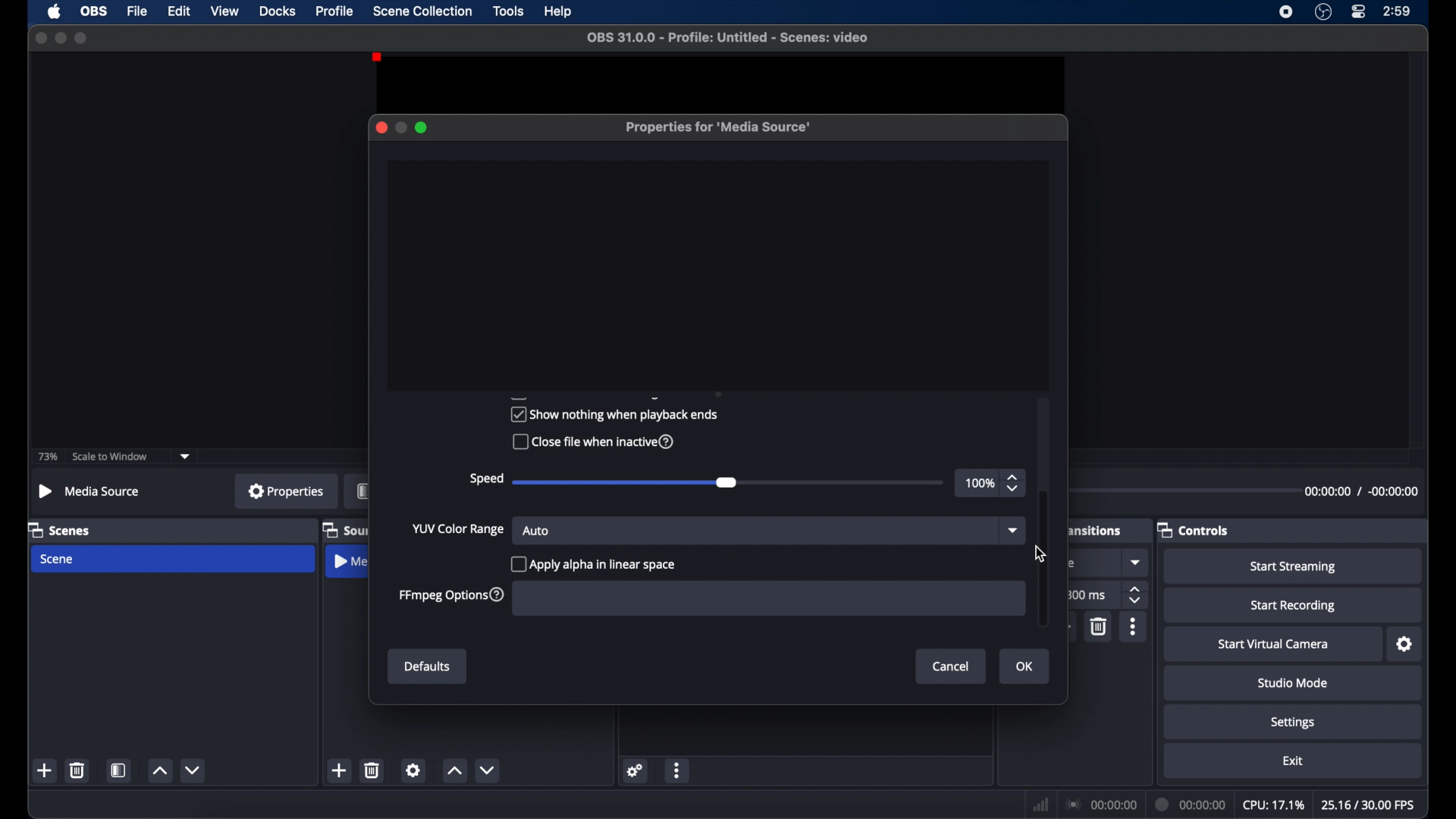 The height and width of the screenshot is (819, 1456). I want to click on increment, so click(160, 771).